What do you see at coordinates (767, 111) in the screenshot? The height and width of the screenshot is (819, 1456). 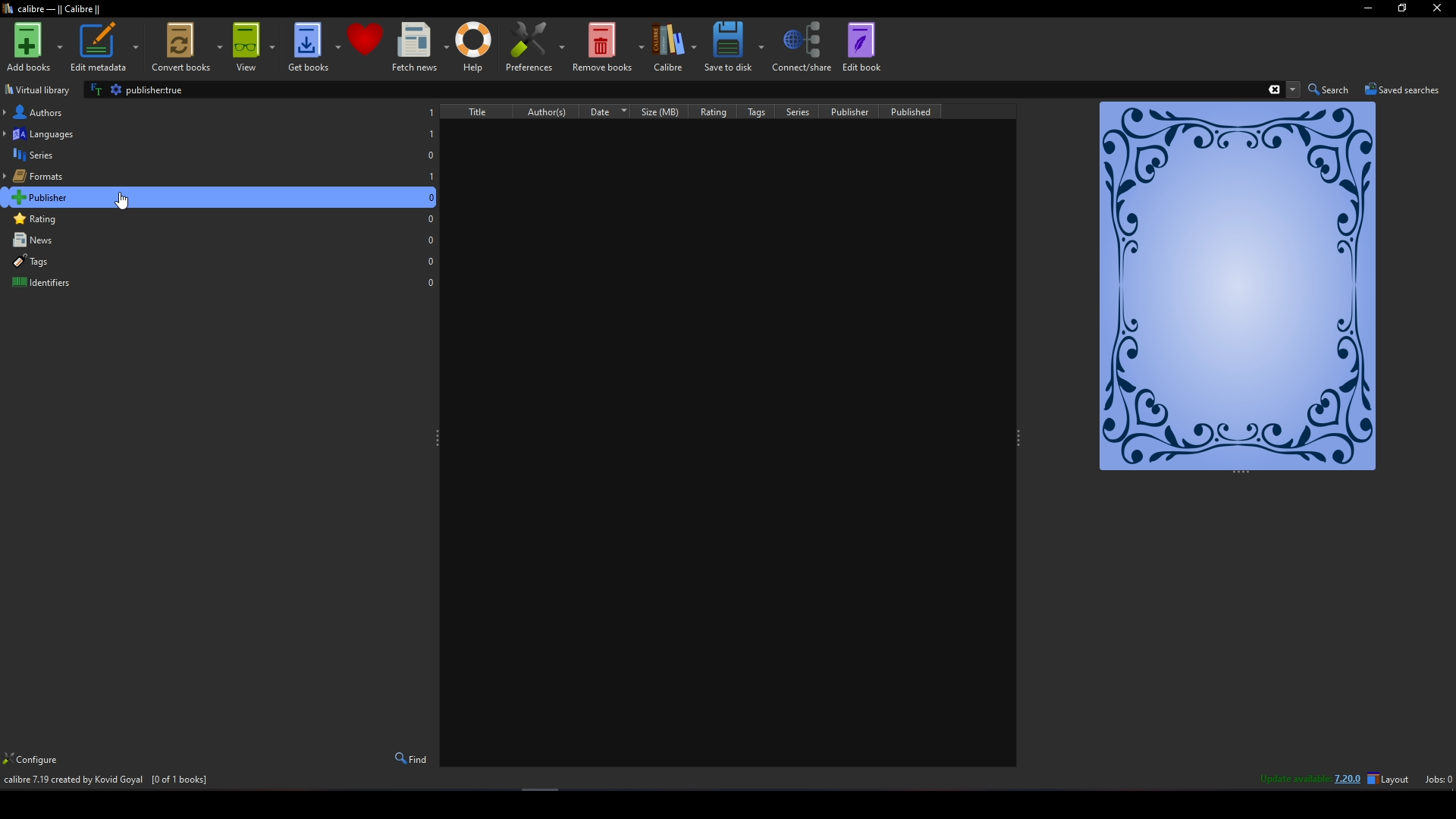 I see `Tags` at bounding box center [767, 111].